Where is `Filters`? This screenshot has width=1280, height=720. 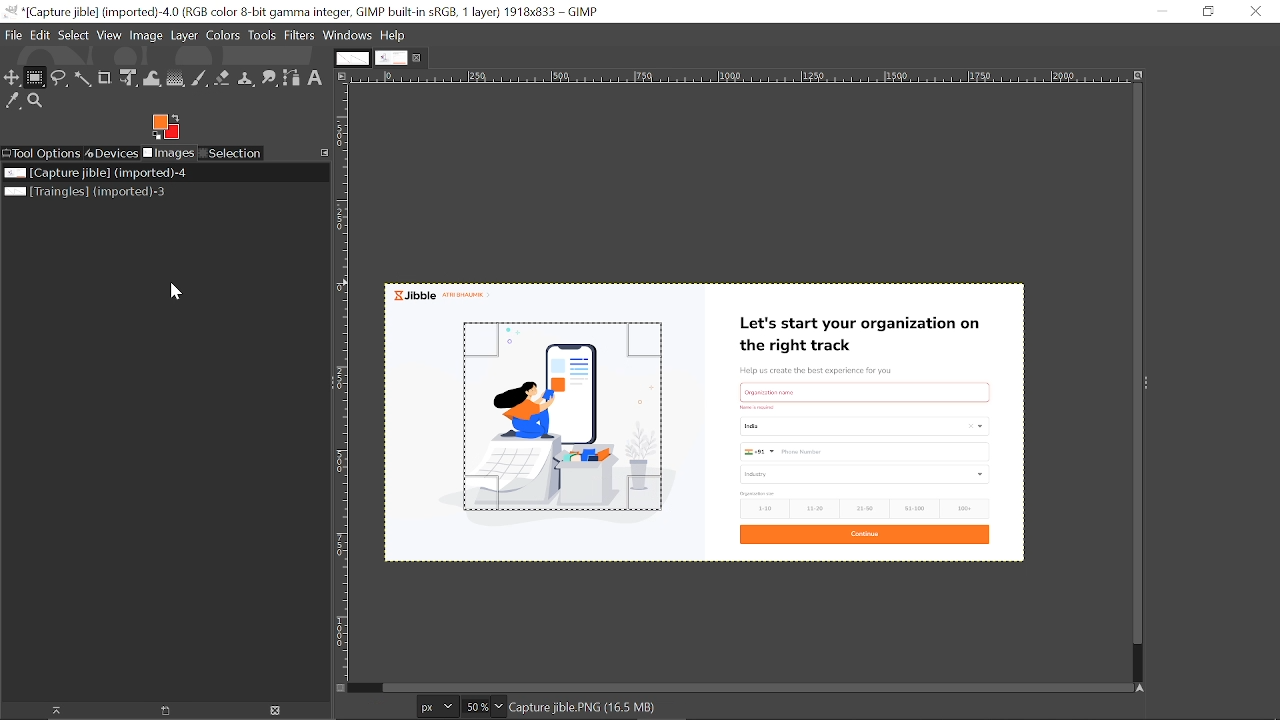 Filters is located at coordinates (299, 36).